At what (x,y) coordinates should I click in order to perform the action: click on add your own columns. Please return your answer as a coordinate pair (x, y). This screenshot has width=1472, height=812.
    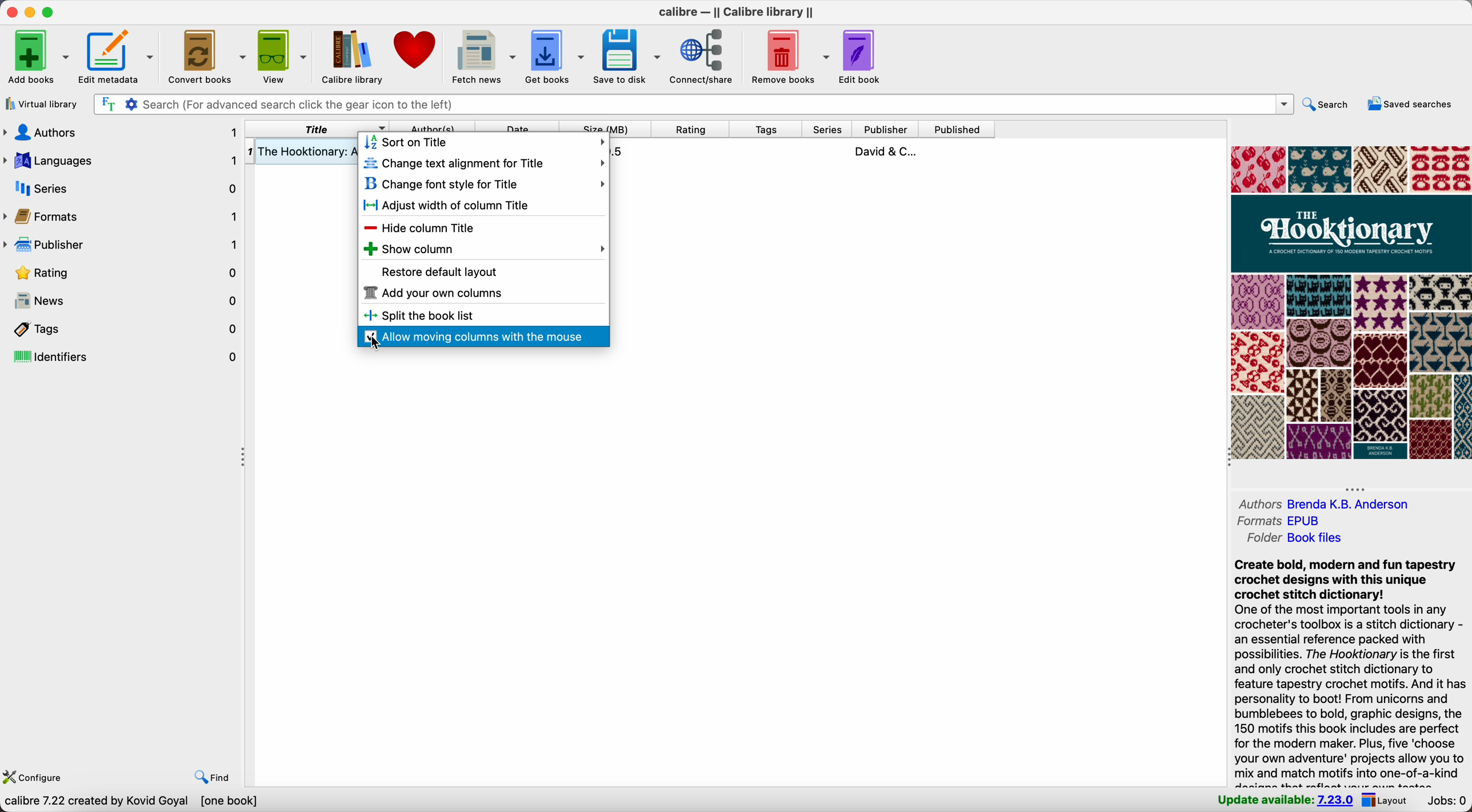
    Looking at the image, I should click on (433, 293).